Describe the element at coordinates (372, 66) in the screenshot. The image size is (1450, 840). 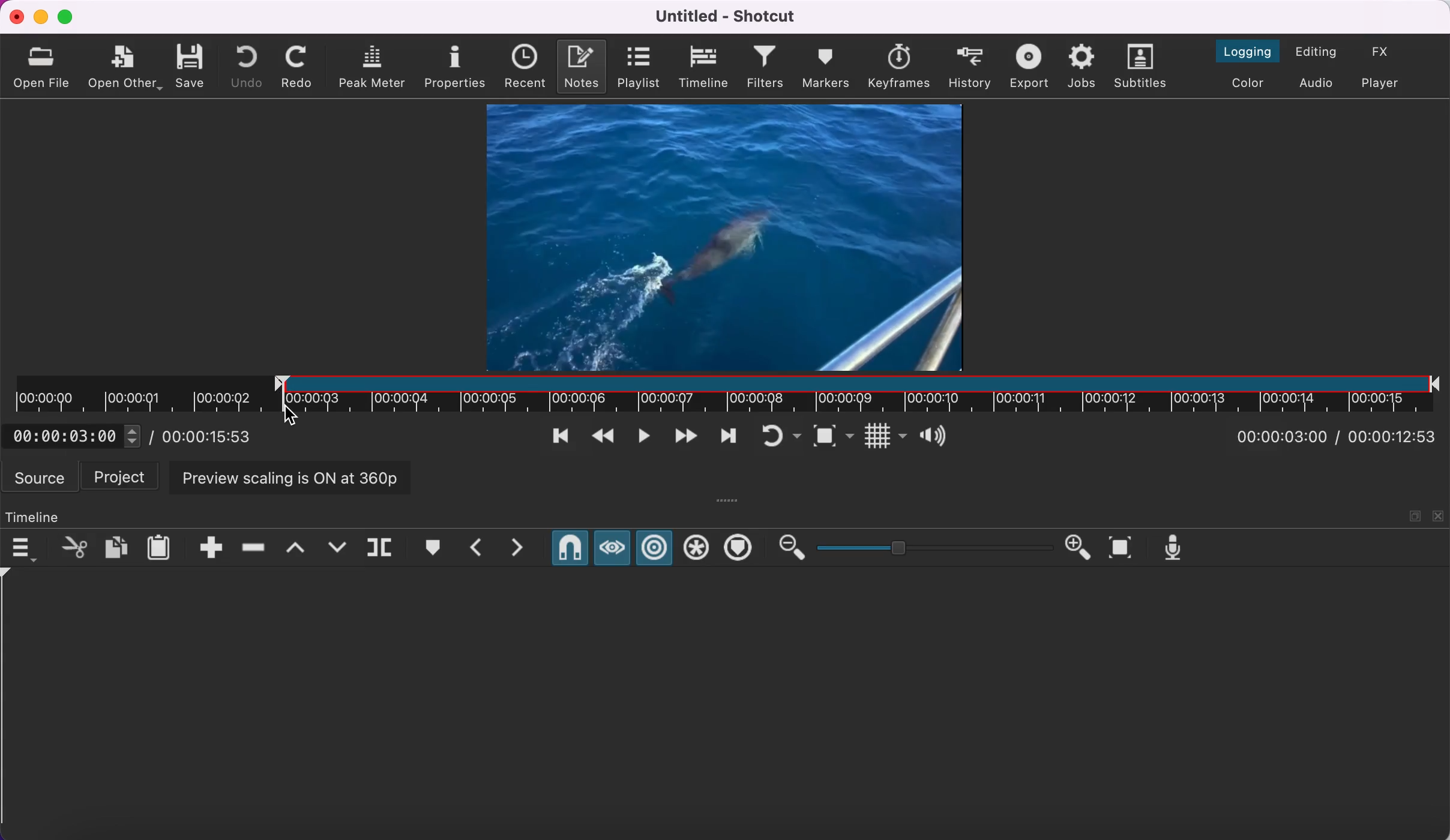
I see `peak meter` at that location.